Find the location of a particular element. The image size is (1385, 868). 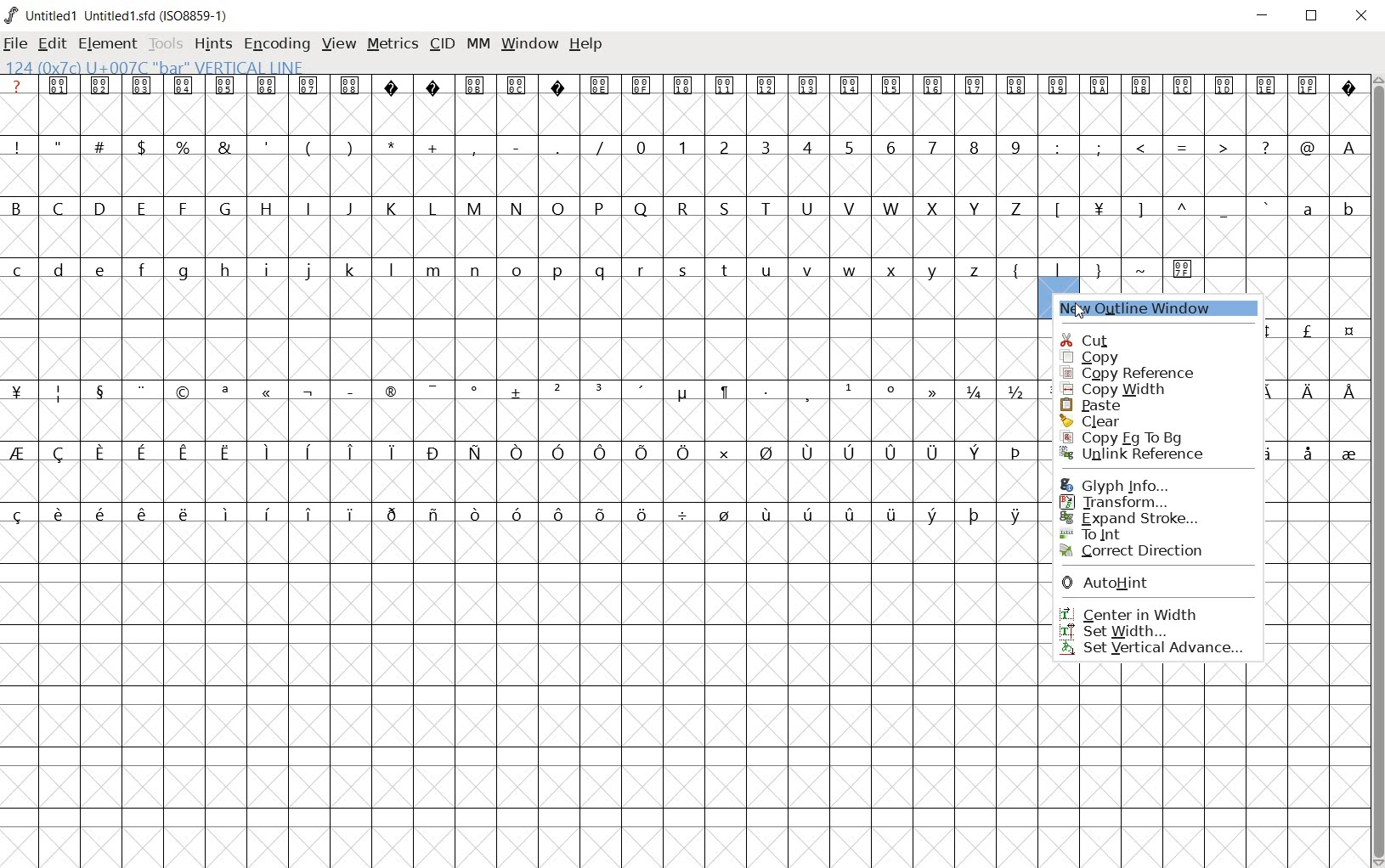

cid is located at coordinates (442, 44).